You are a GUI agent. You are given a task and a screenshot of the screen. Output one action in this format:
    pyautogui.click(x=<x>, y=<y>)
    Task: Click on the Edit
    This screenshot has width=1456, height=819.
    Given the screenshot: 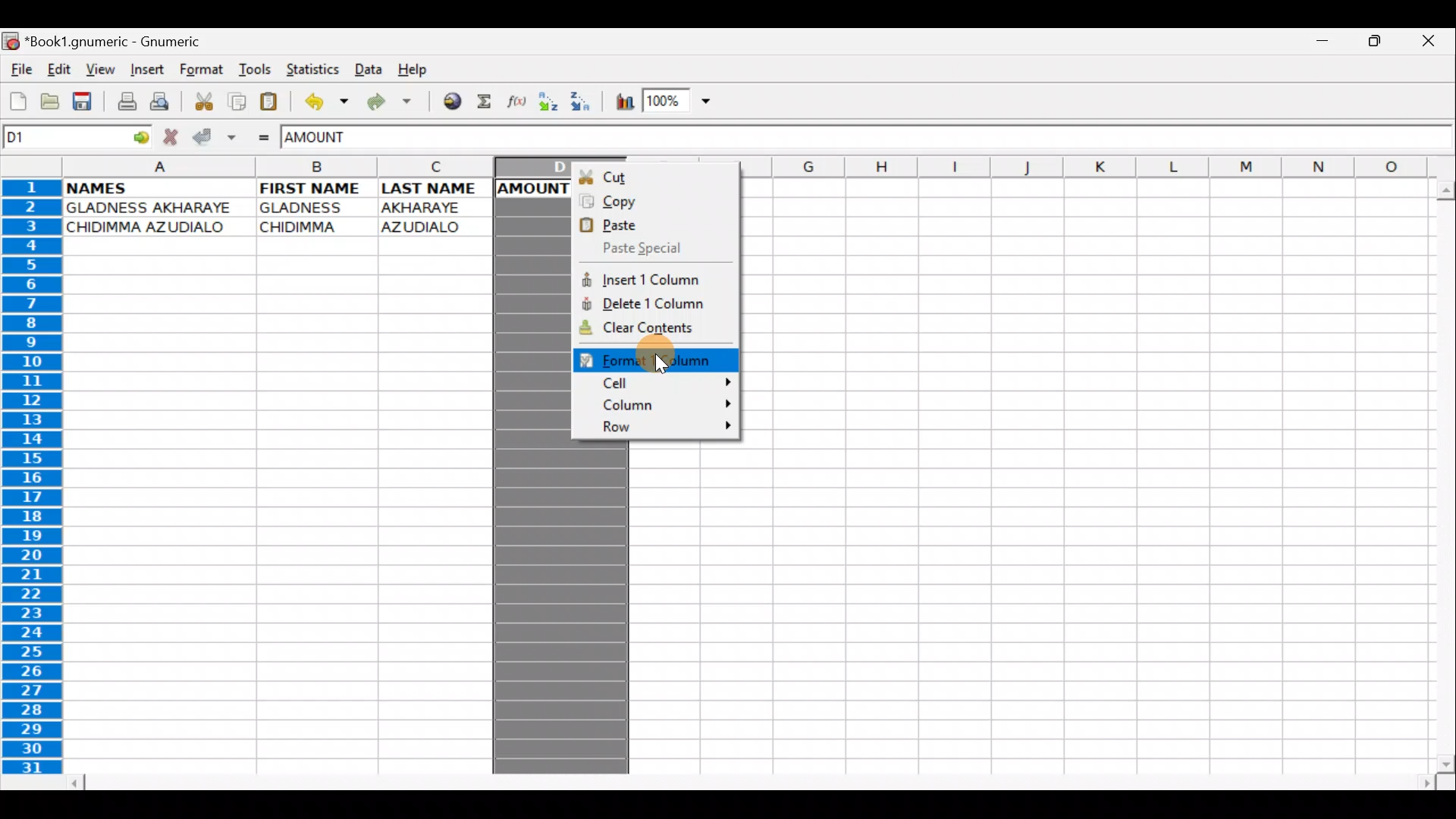 What is the action you would take?
    pyautogui.click(x=61, y=71)
    